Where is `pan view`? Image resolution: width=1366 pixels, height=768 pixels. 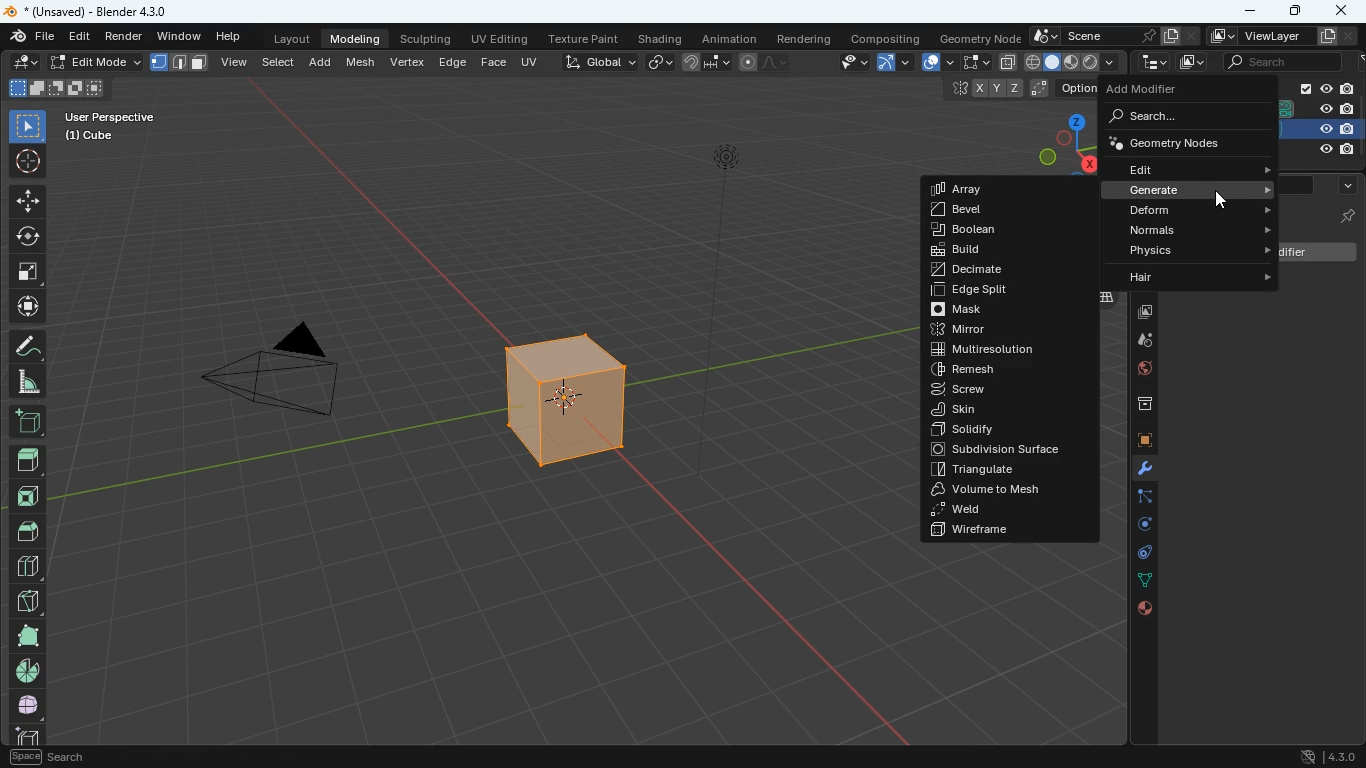 pan view is located at coordinates (47, 759).